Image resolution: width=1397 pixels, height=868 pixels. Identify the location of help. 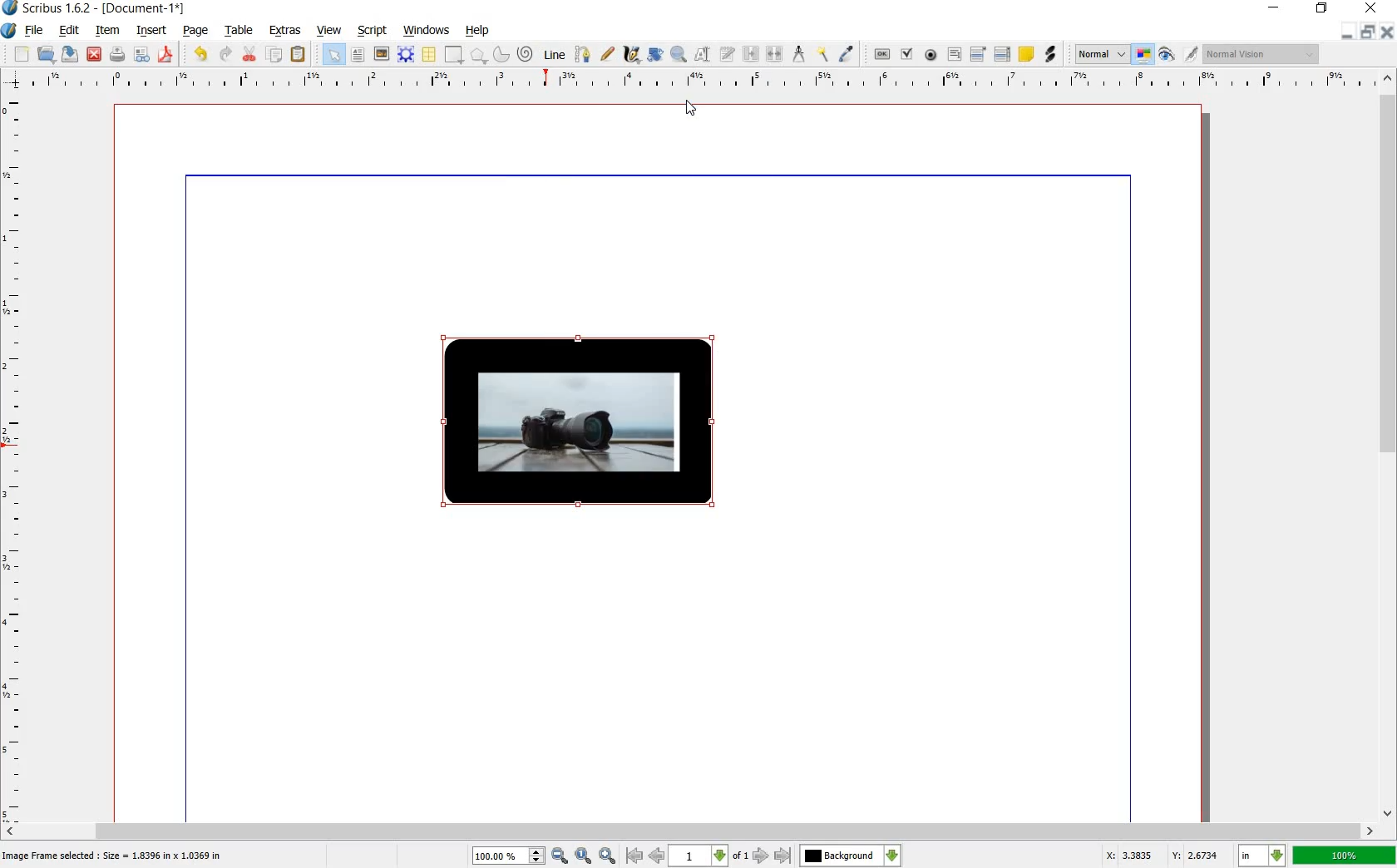
(478, 32).